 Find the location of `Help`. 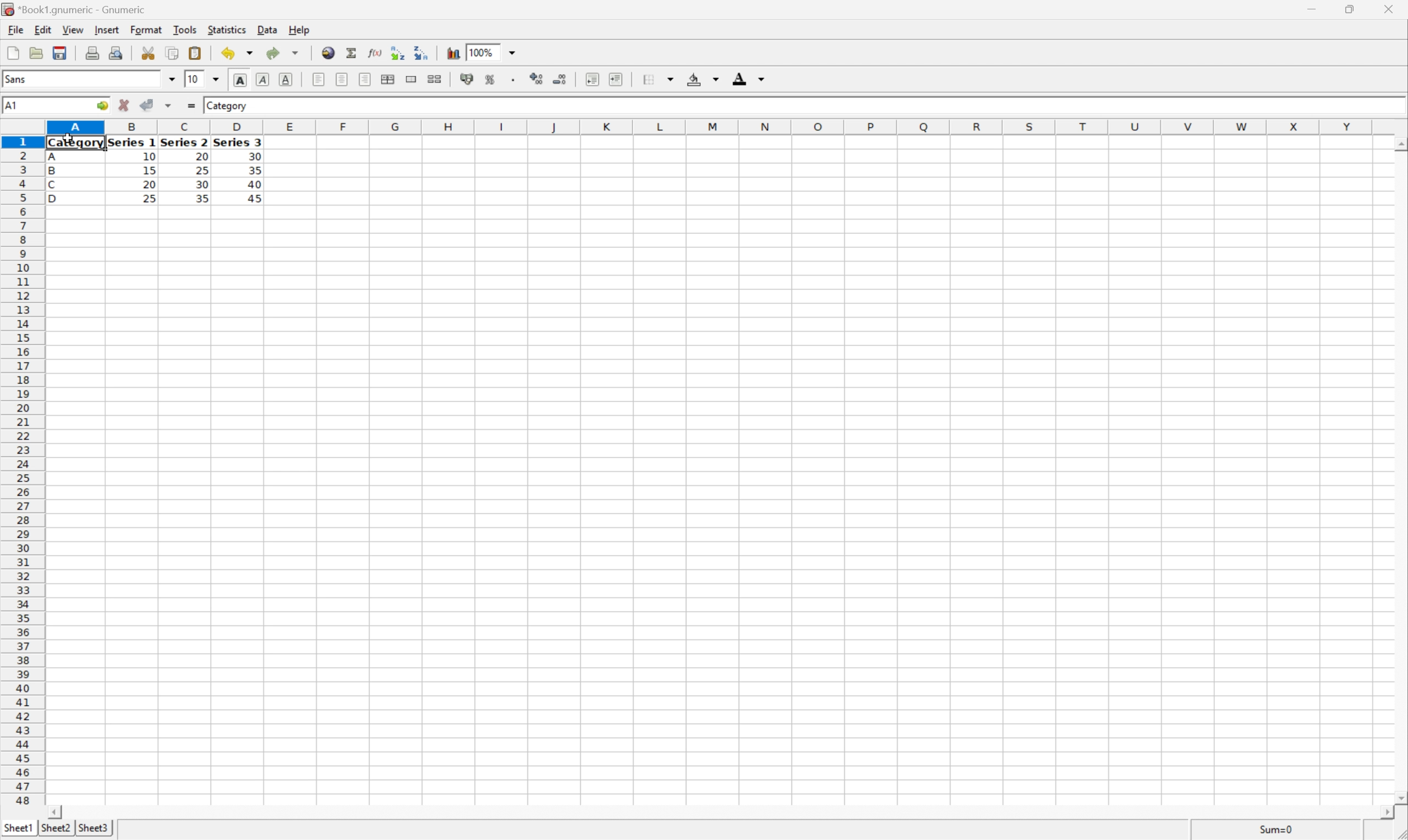

Help is located at coordinates (300, 31).